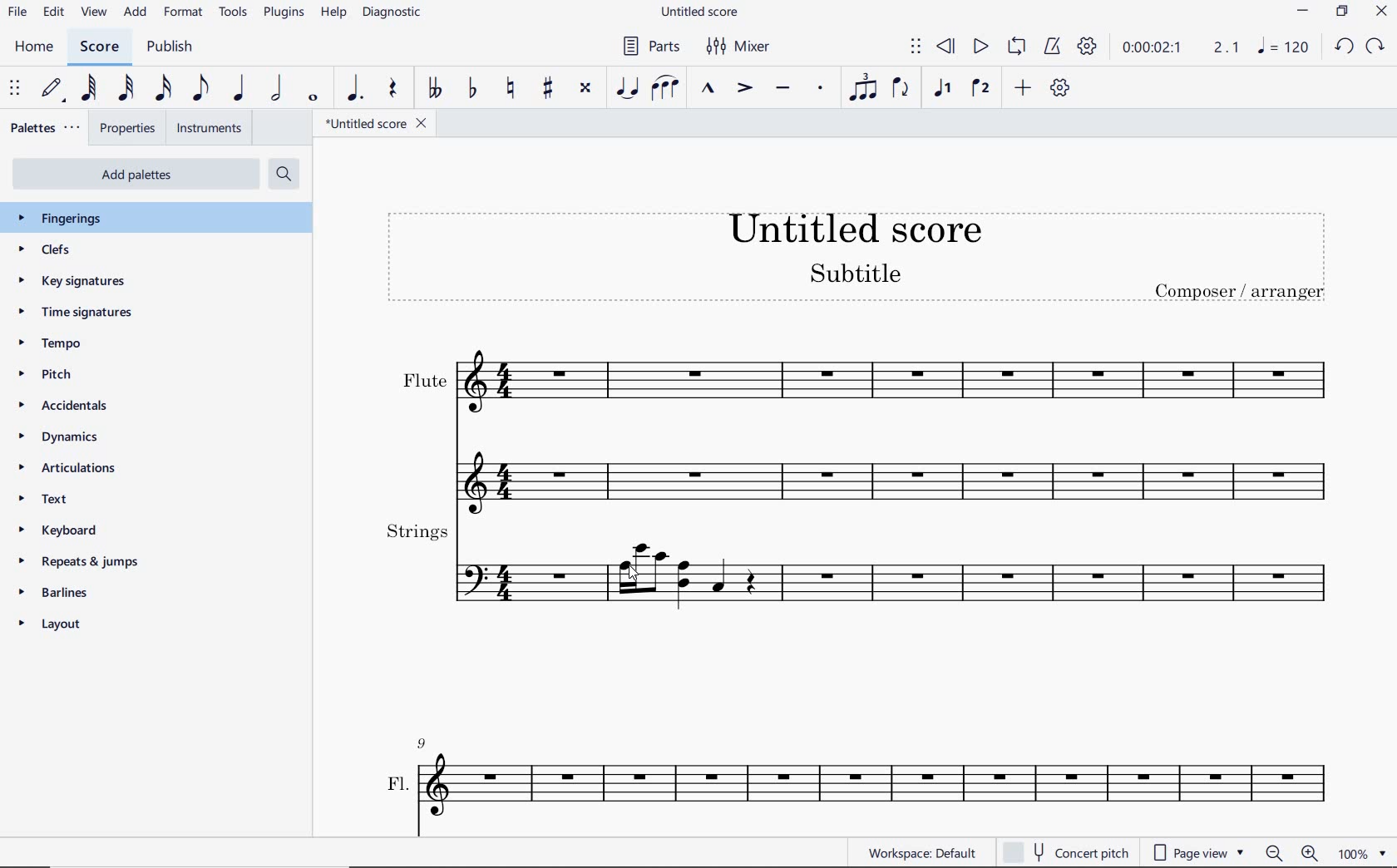  Describe the element at coordinates (52, 343) in the screenshot. I see `tempo` at that location.